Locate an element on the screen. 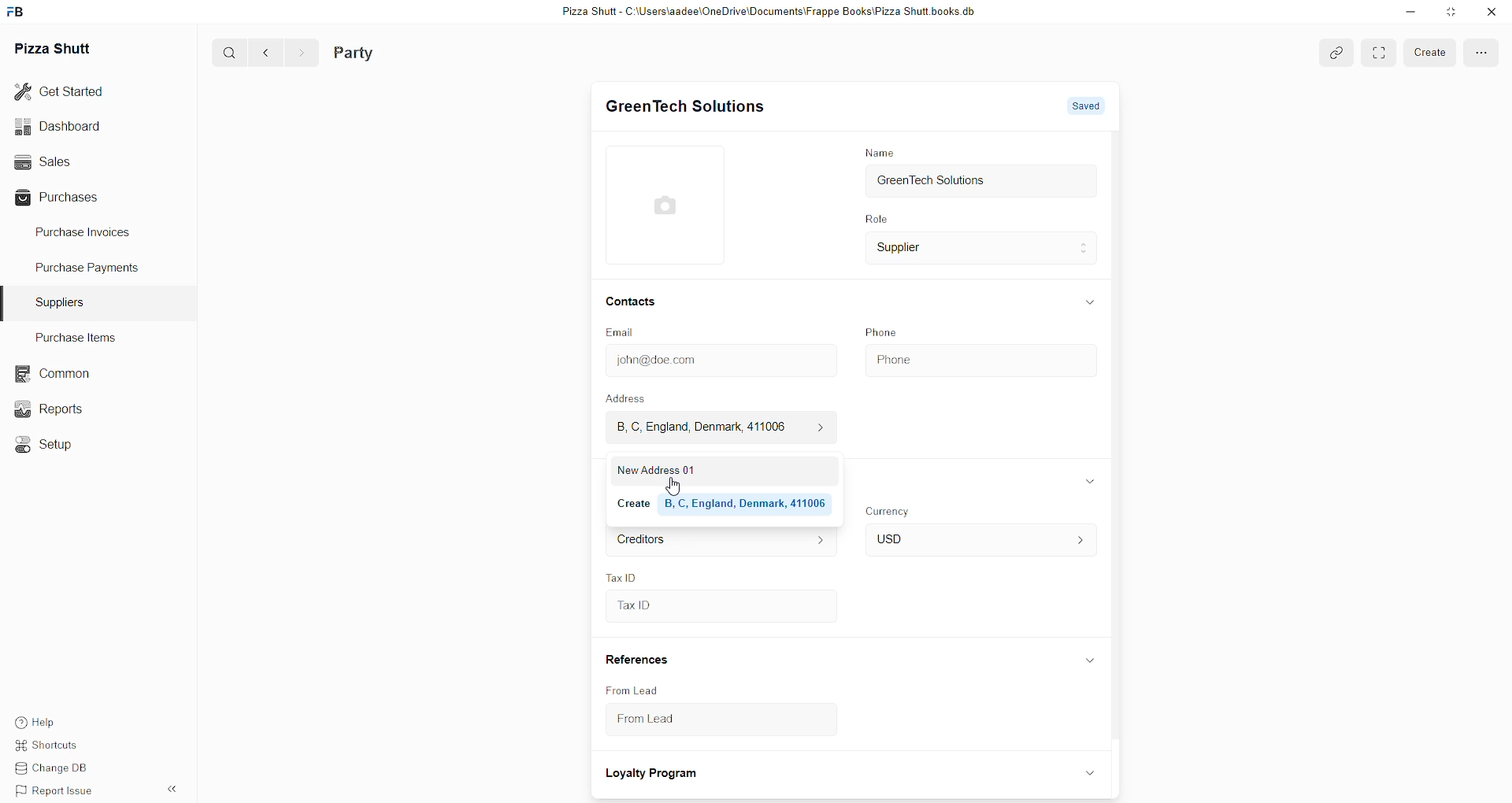 This screenshot has width=1512, height=803. Purchase Invoices is located at coordinates (89, 235).